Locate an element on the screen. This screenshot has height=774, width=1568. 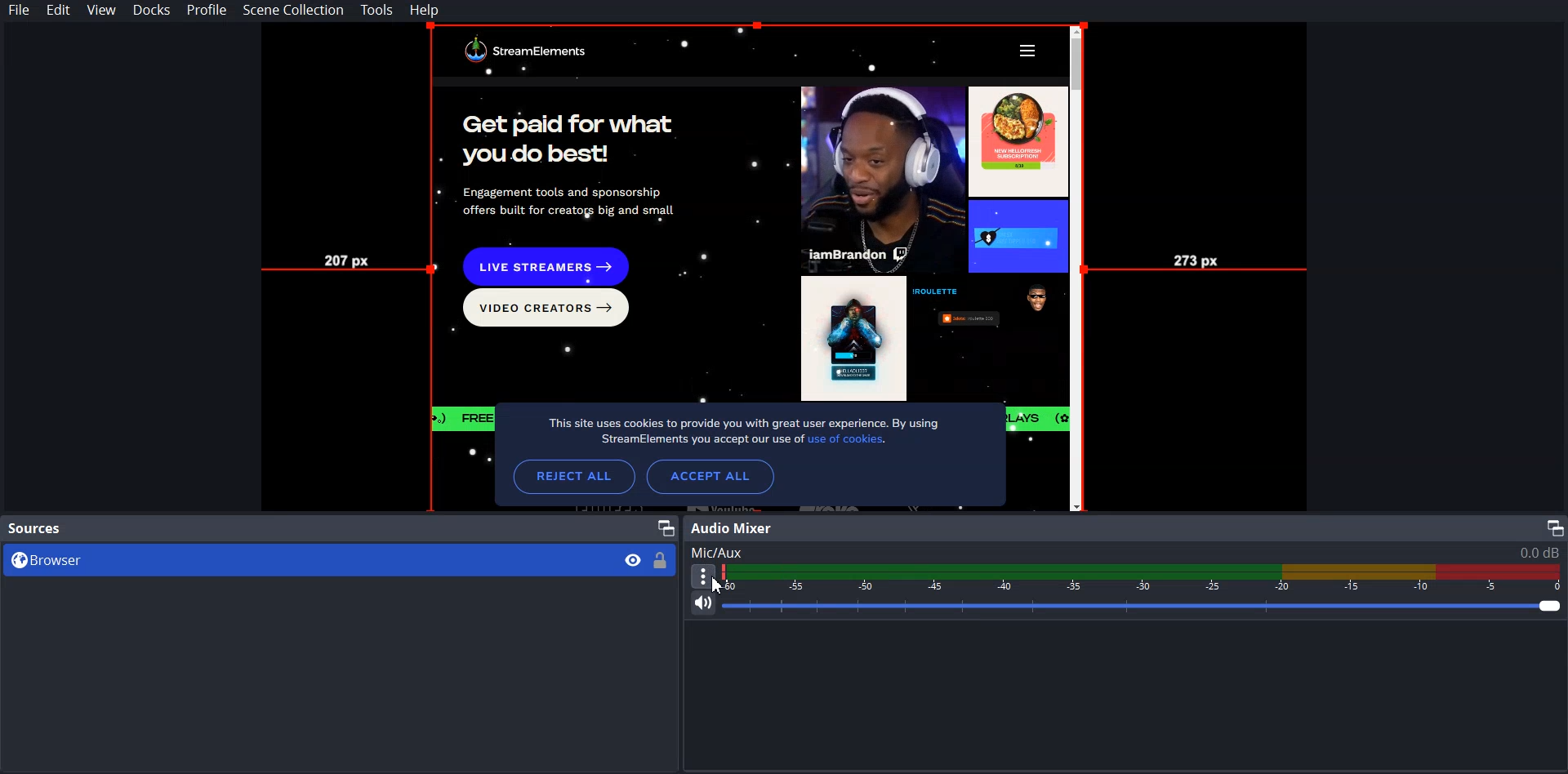
Profile is located at coordinates (207, 11).